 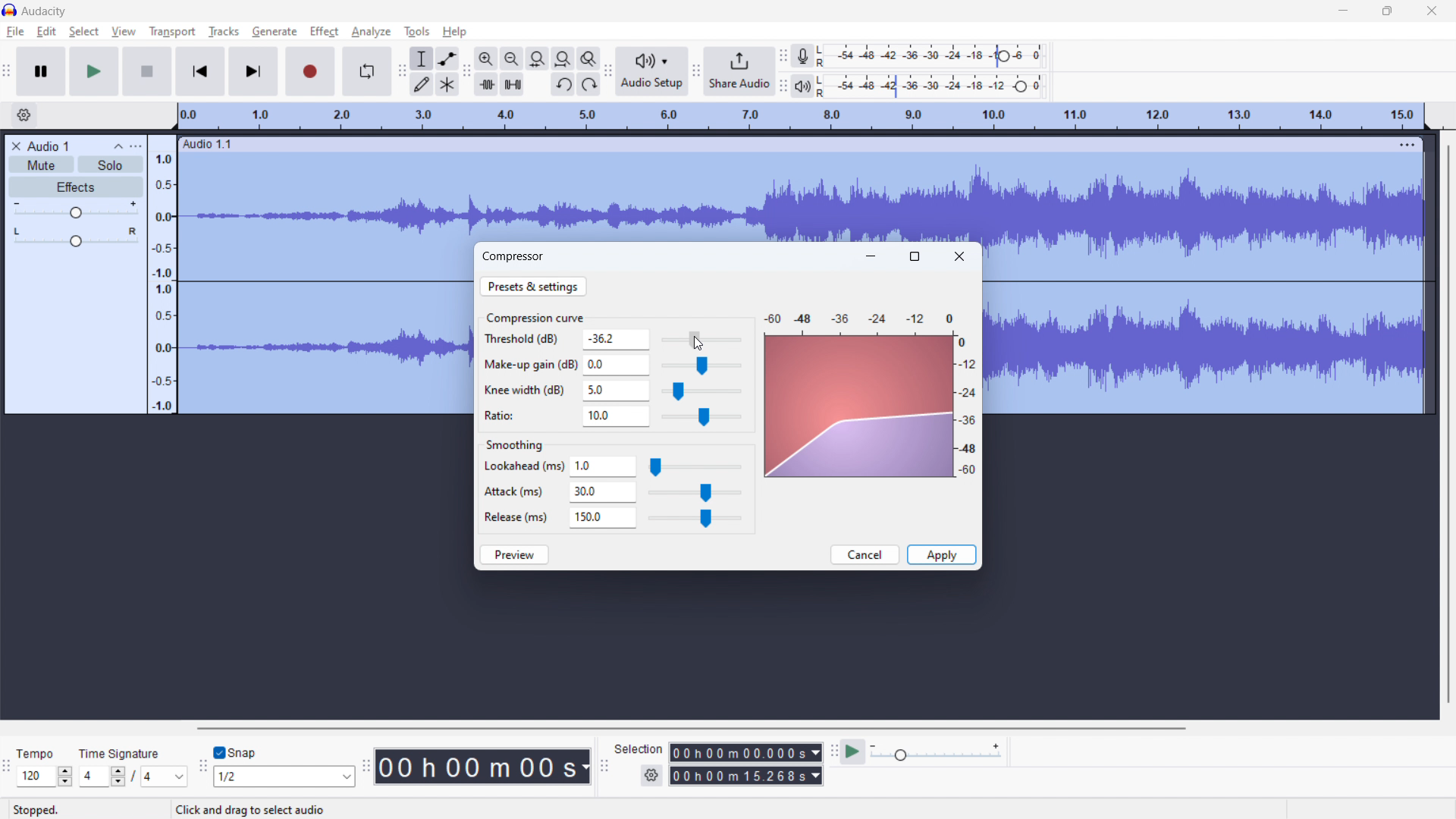 I want to click on preview, so click(x=515, y=554).